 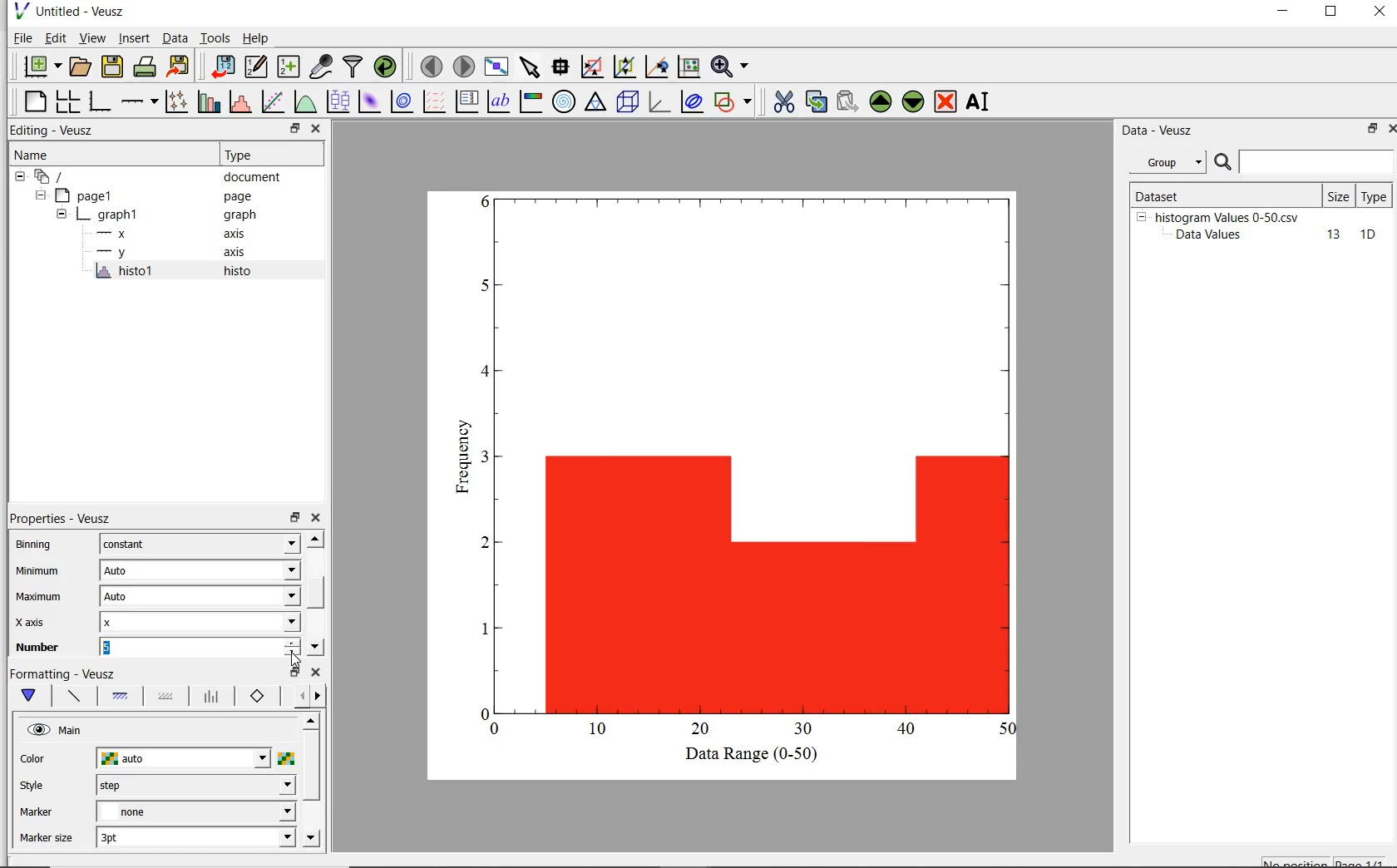 I want to click on arrange graphs in a grid , so click(x=70, y=99).